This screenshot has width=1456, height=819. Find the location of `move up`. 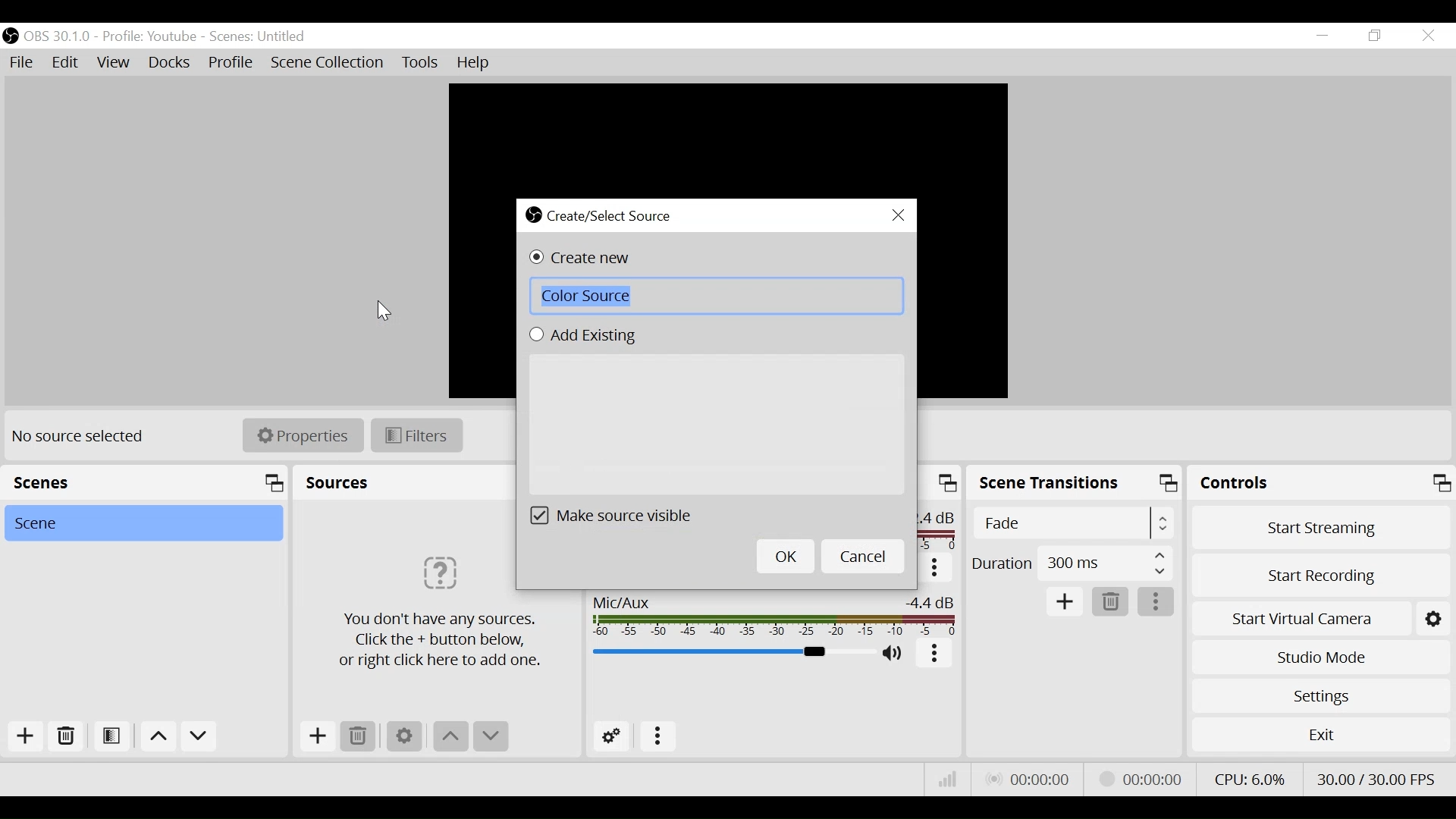

move up is located at coordinates (157, 736).